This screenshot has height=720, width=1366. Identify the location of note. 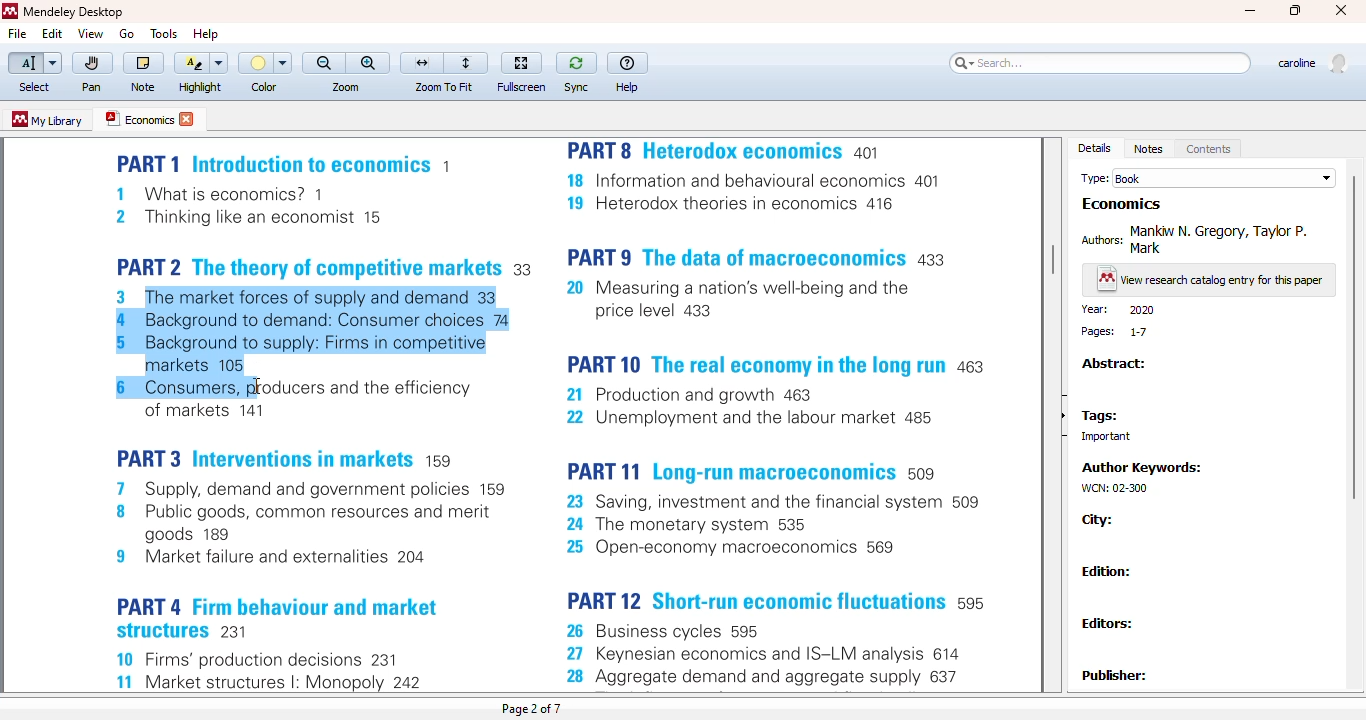
(143, 64).